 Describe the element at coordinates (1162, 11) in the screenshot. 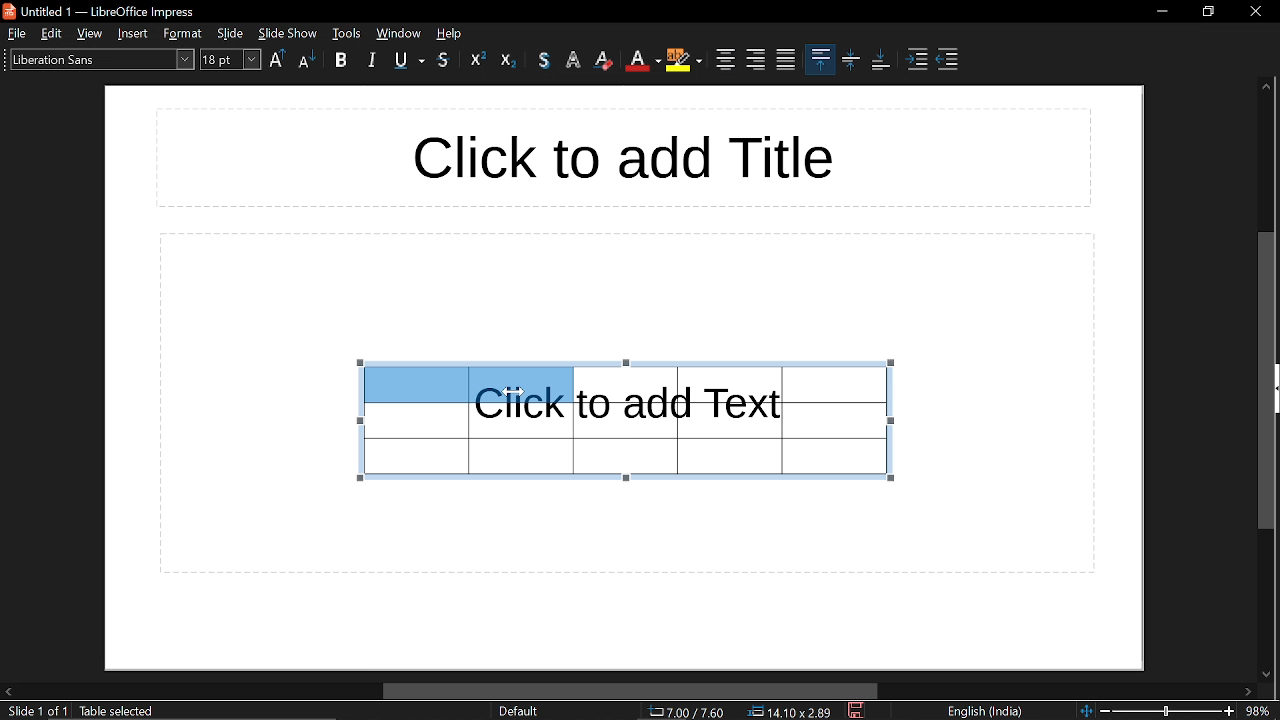

I see `minimize` at that location.